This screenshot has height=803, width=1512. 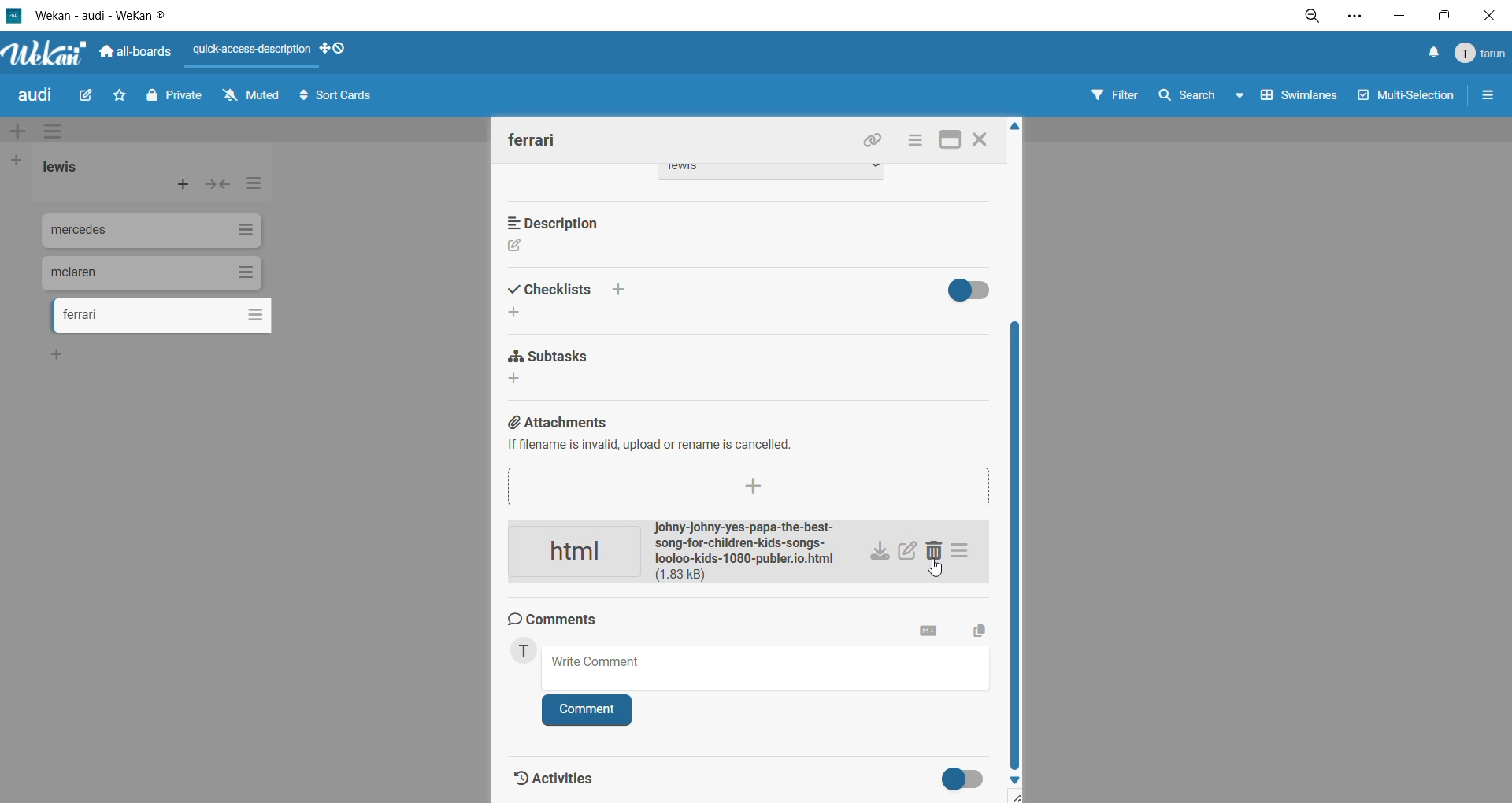 I want to click on delete, so click(x=939, y=553).